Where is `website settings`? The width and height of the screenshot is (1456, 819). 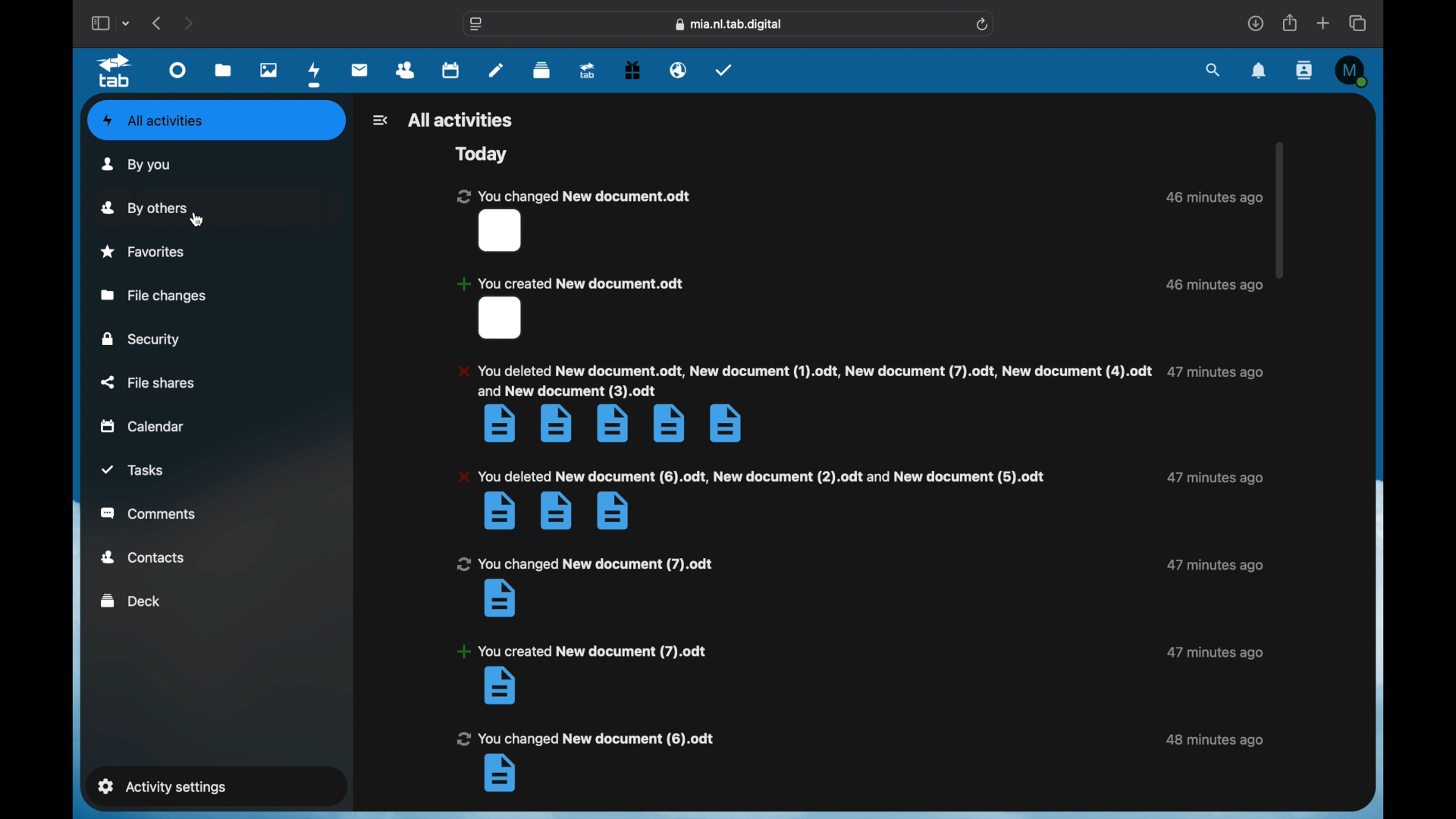 website settings is located at coordinates (476, 24).